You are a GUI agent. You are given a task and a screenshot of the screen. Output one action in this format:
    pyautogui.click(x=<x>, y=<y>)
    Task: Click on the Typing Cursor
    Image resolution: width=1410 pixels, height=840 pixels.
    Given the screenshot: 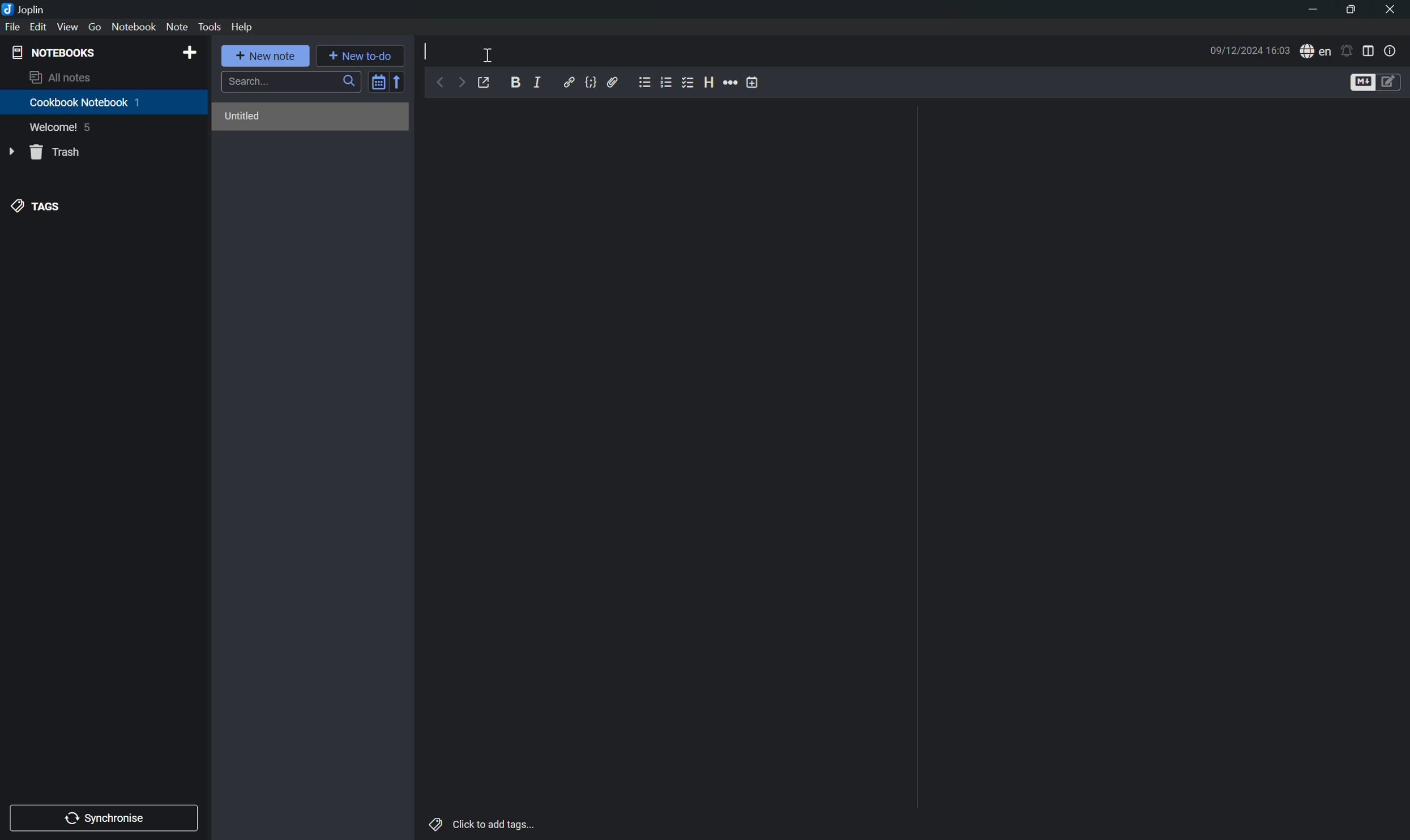 What is the action you would take?
    pyautogui.click(x=424, y=51)
    